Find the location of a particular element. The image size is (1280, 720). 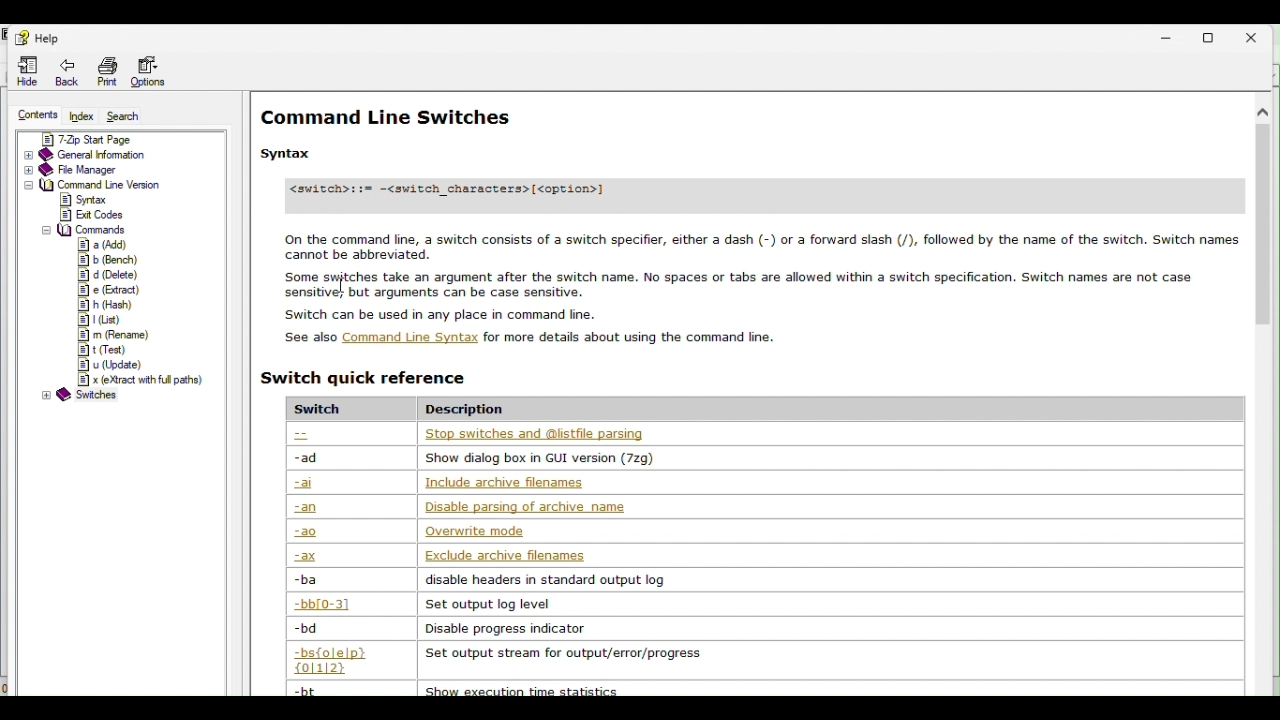

File manager is located at coordinates (124, 171).